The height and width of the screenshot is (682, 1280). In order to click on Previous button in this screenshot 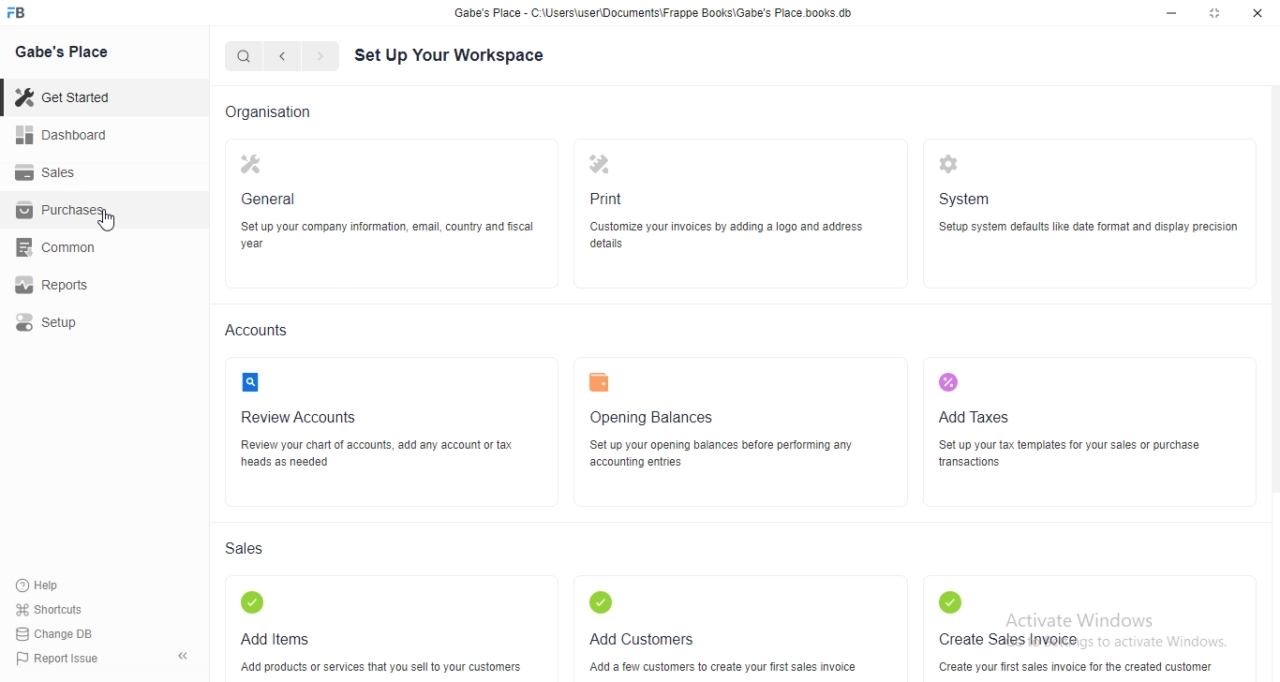, I will do `click(283, 56)`.